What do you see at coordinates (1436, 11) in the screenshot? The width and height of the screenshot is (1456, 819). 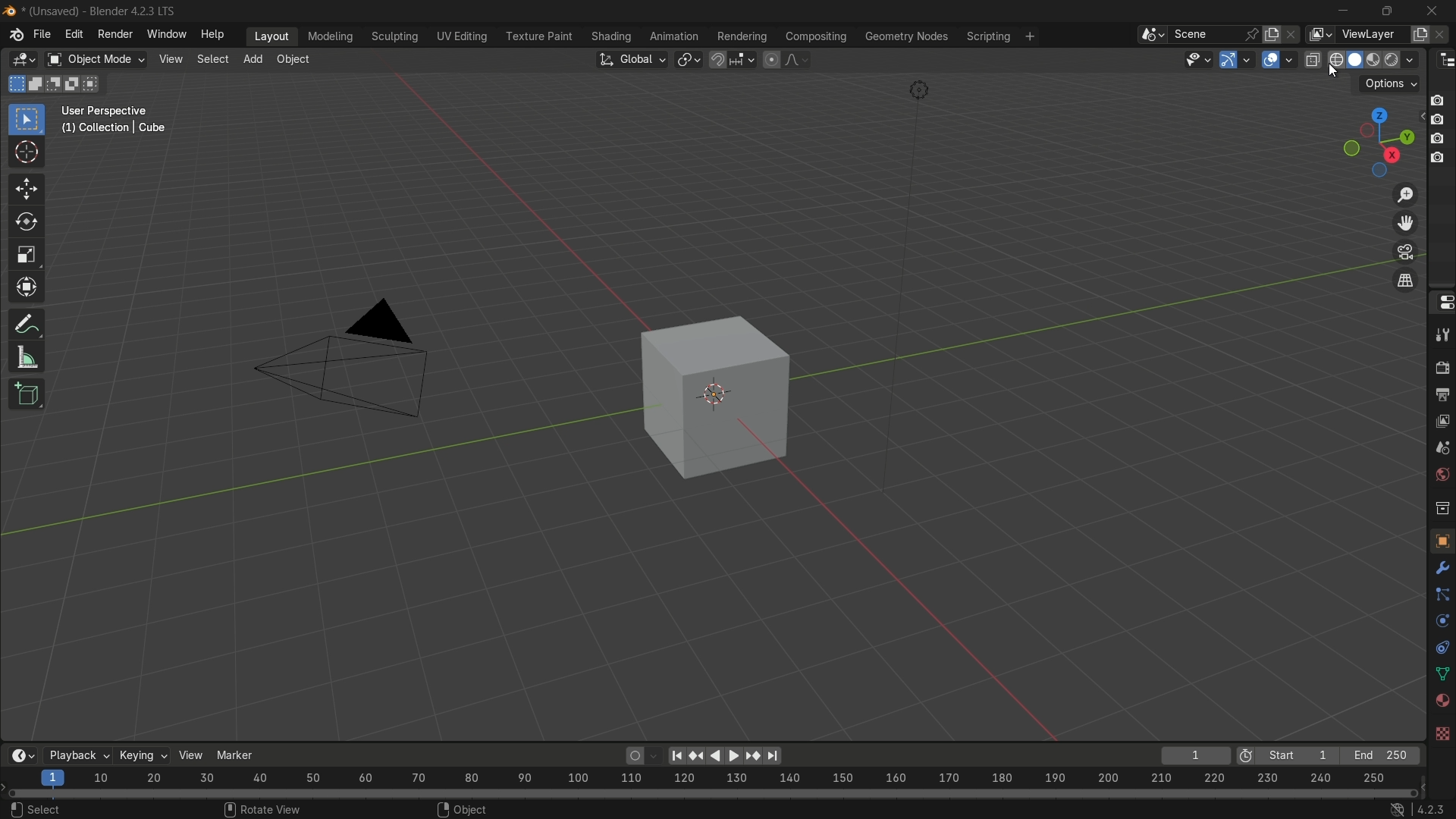 I see `close` at bounding box center [1436, 11].